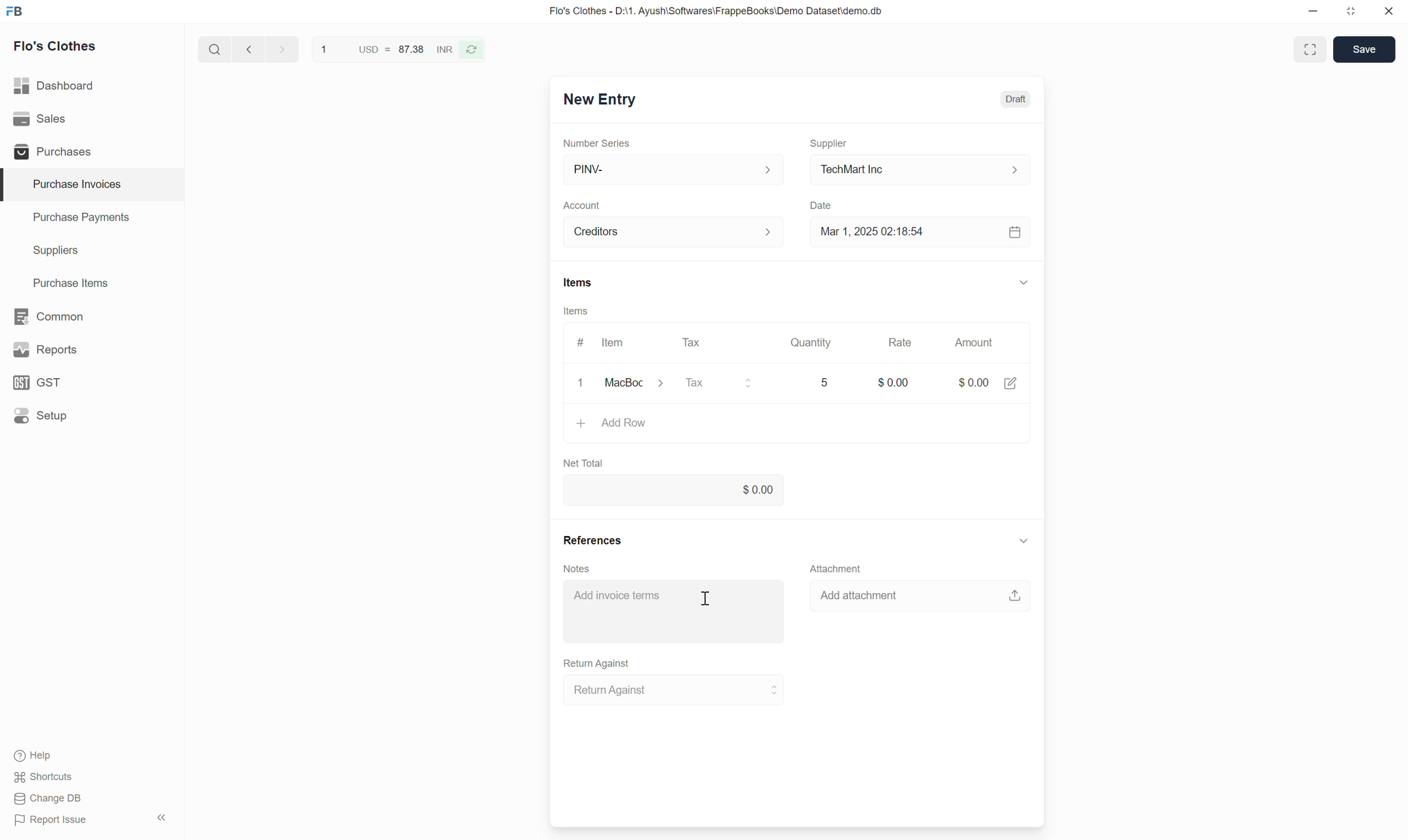 The width and height of the screenshot is (1408, 840). What do you see at coordinates (900, 342) in the screenshot?
I see `Rate` at bounding box center [900, 342].